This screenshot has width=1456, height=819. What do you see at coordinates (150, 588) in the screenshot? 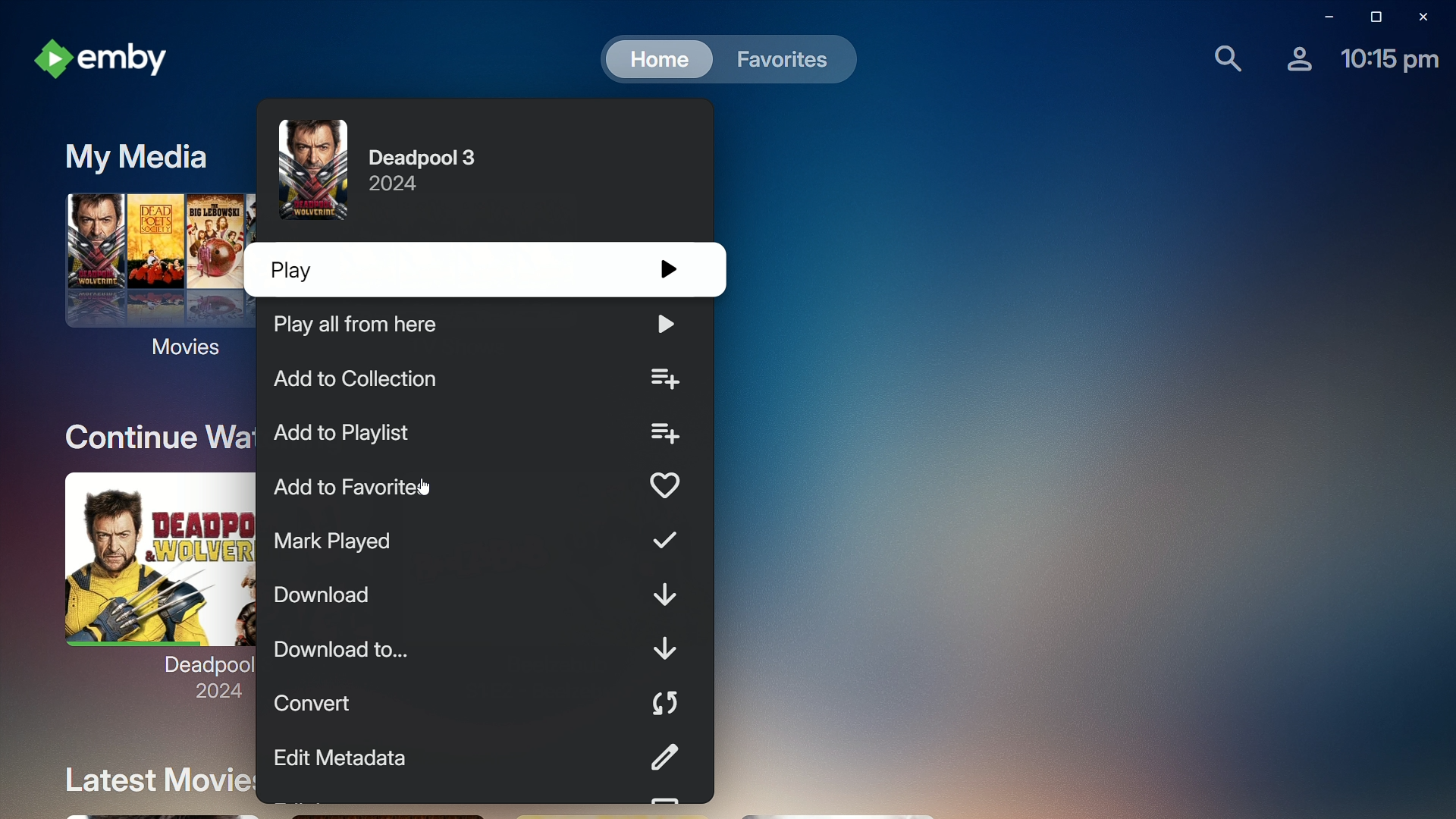
I see `Deadpool 3` at bounding box center [150, 588].